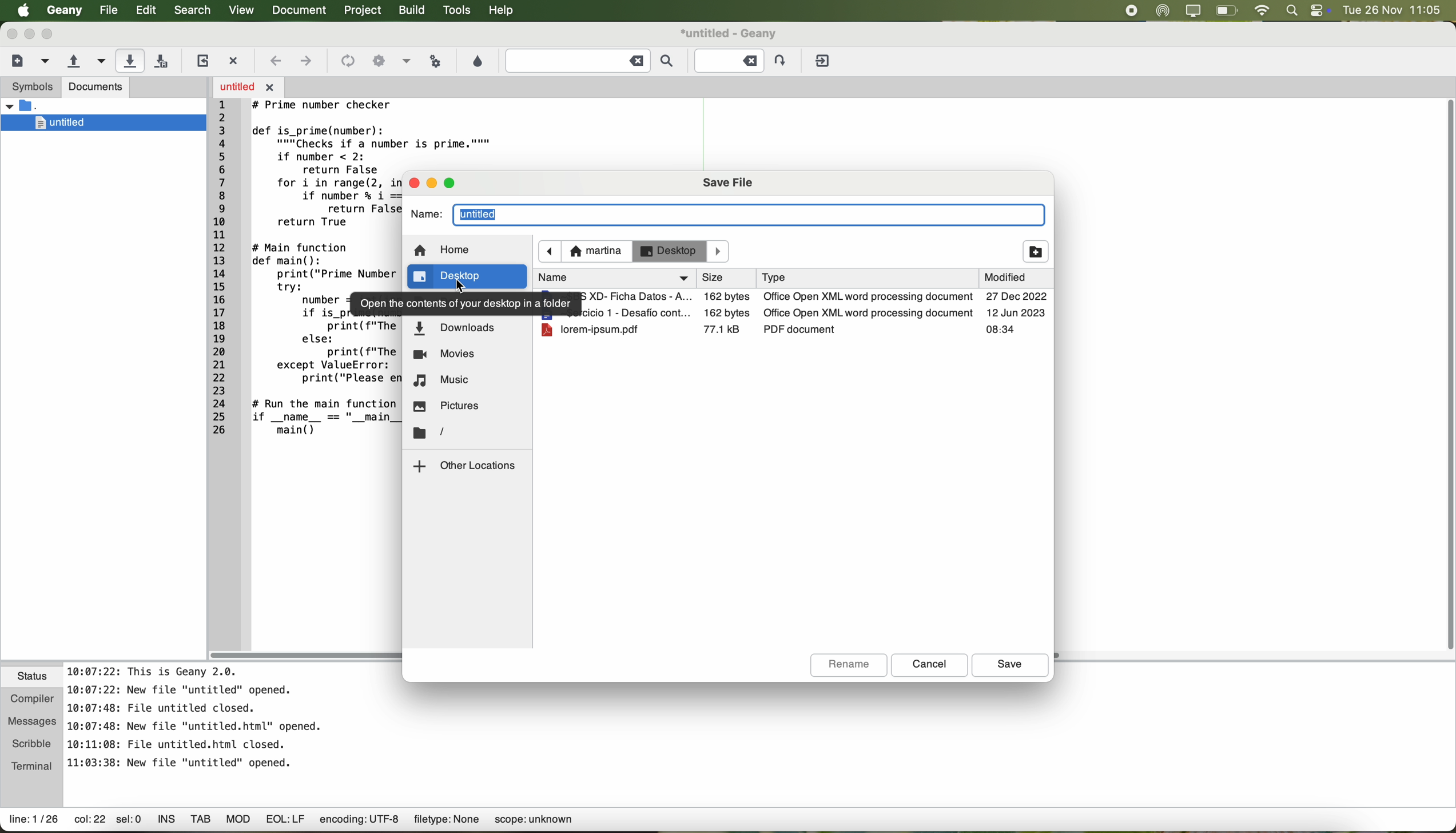  Describe the element at coordinates (1036, 251) in the screenshot. I see `add folder` at that location.